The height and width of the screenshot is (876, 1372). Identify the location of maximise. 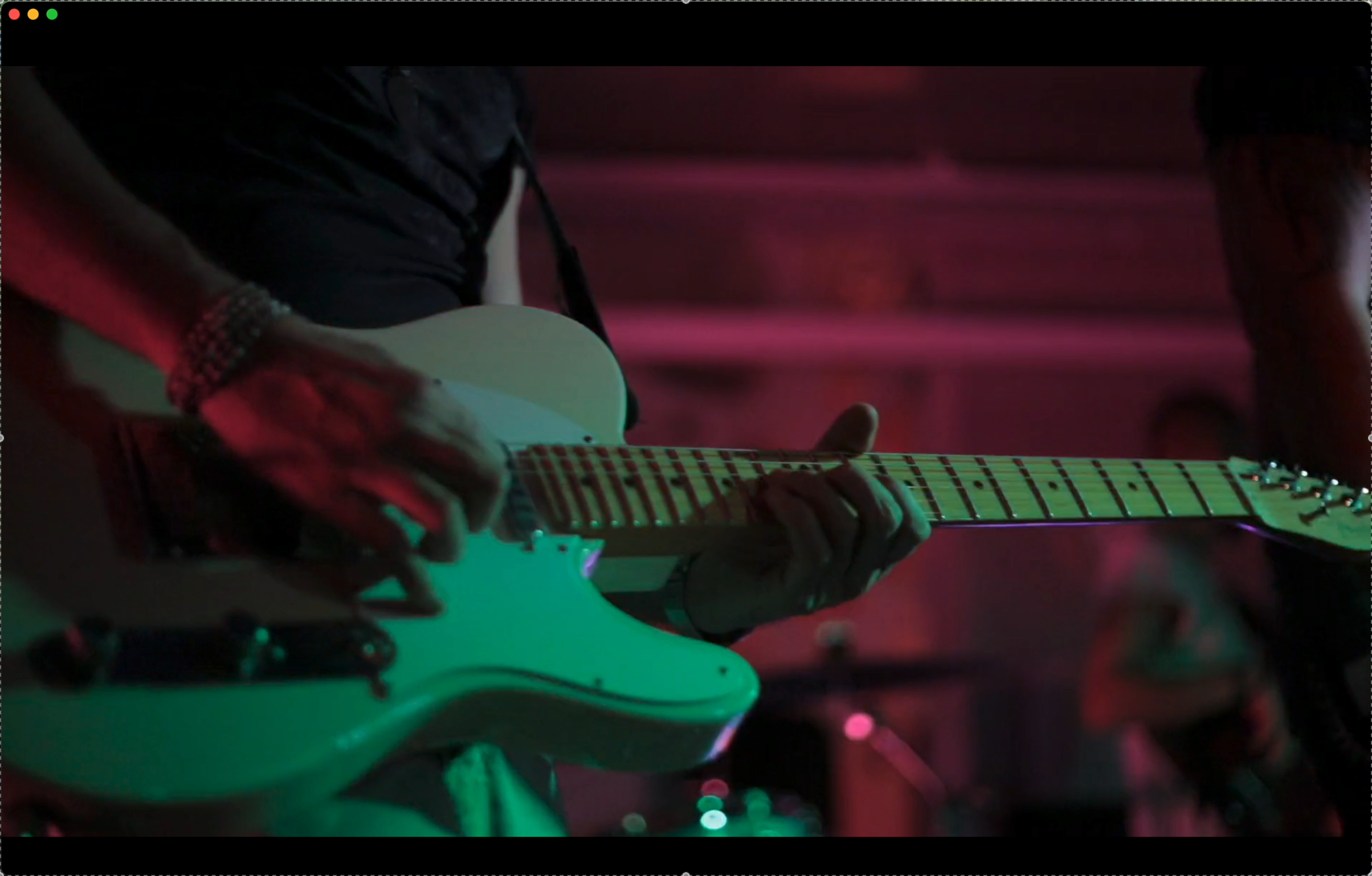
(54, 14).